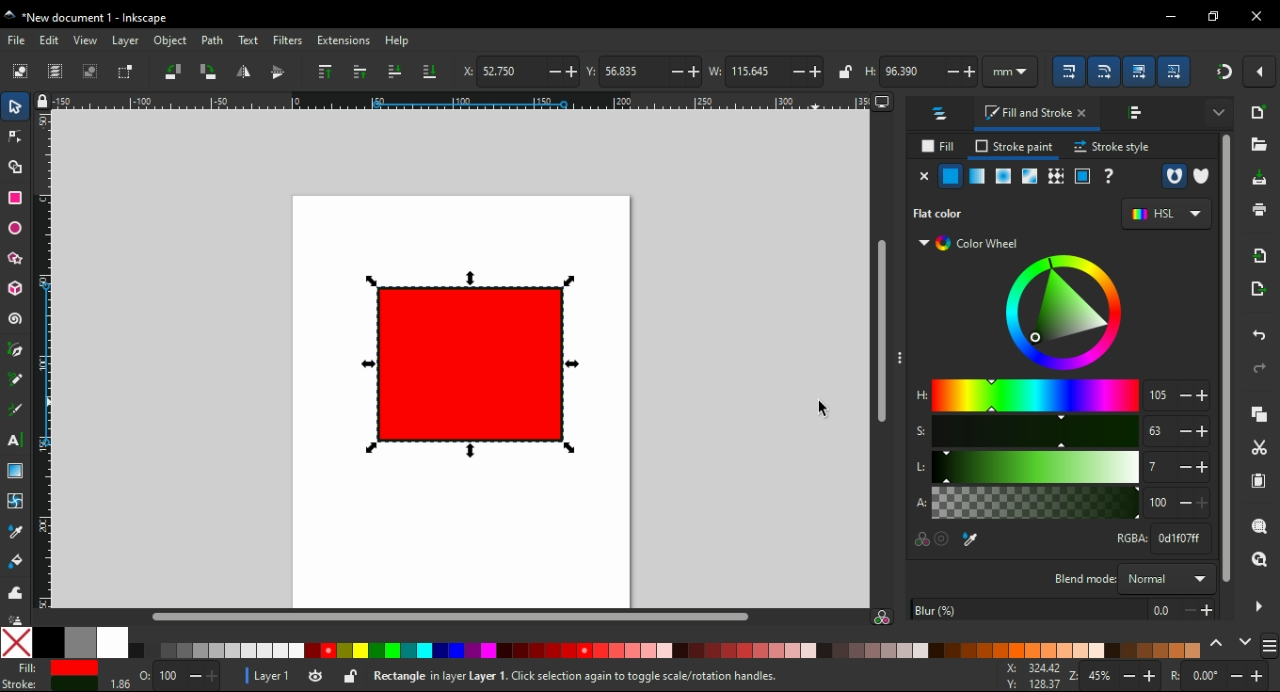 The height and width of the screenshot is (692, 1280). I want to click on increase/decrease, so click(1196, 503).